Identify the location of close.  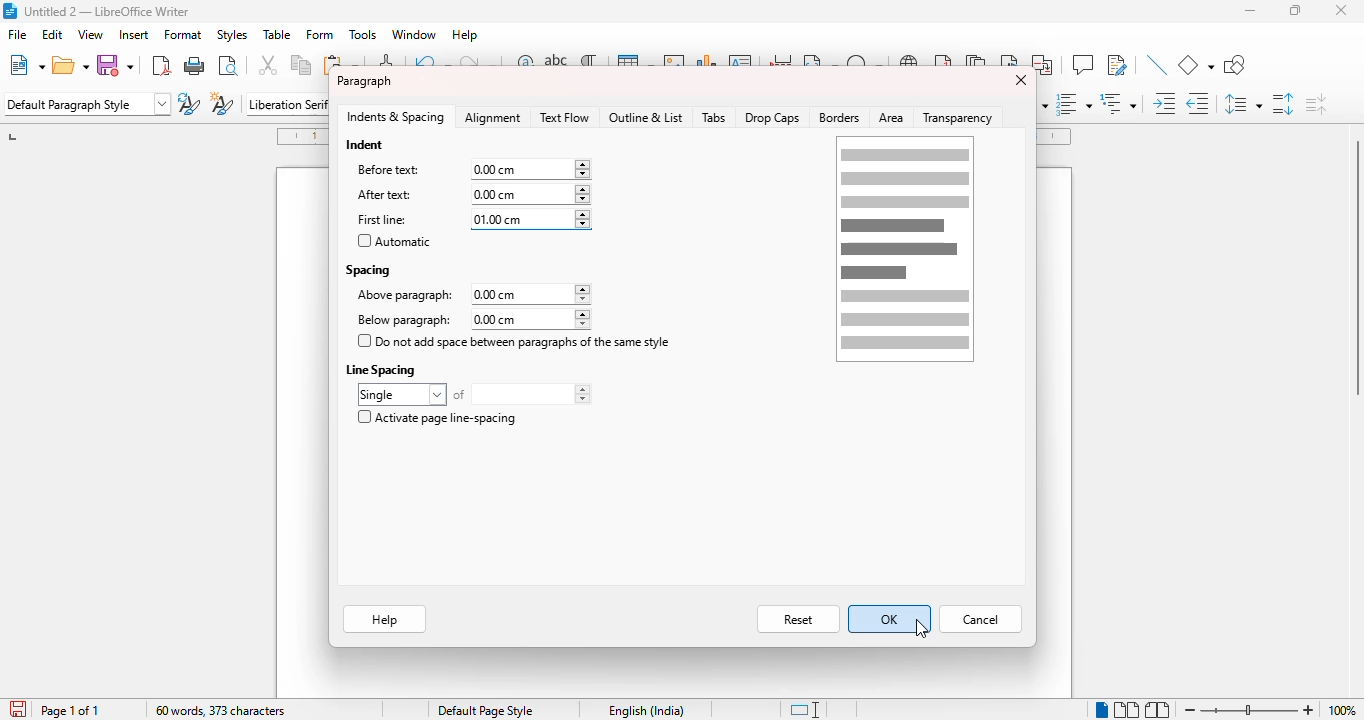
(1342, 10).